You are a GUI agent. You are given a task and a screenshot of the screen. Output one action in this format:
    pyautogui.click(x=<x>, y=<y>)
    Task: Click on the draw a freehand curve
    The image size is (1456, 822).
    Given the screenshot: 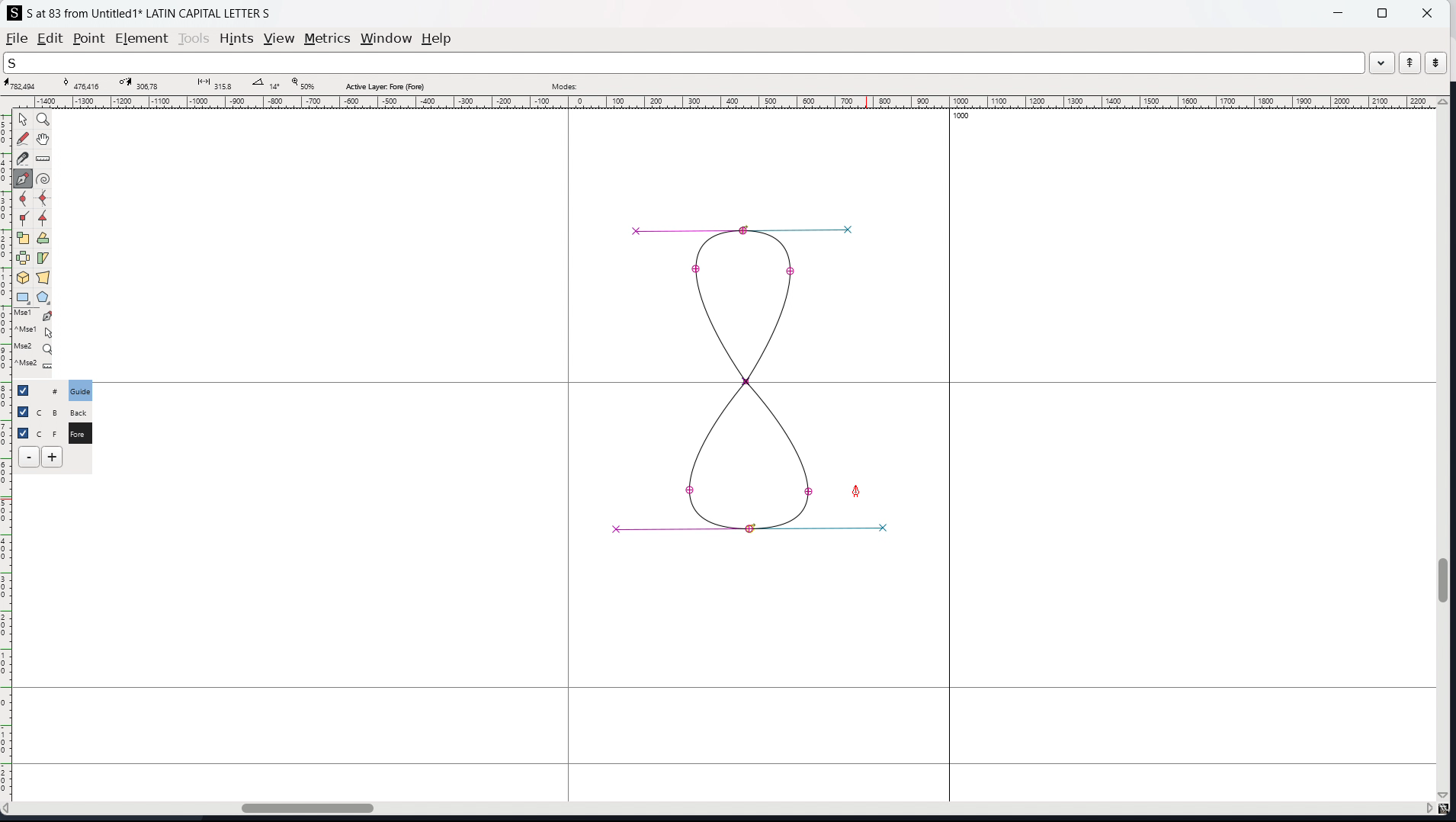 What is the action you would take?
    pyautogui.click(x=23, y=139)
    